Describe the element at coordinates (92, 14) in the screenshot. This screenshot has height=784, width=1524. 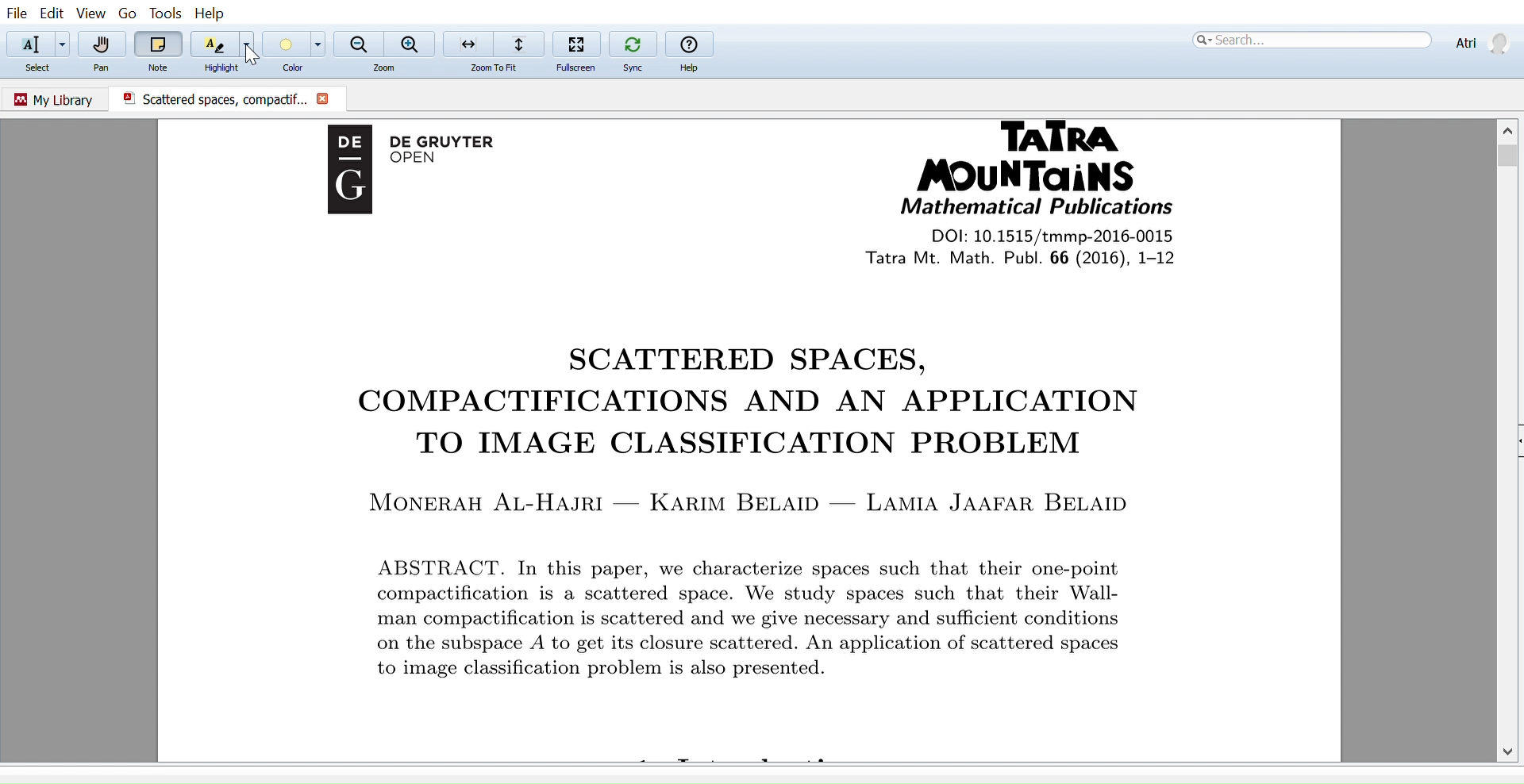
I see `View` at that location.